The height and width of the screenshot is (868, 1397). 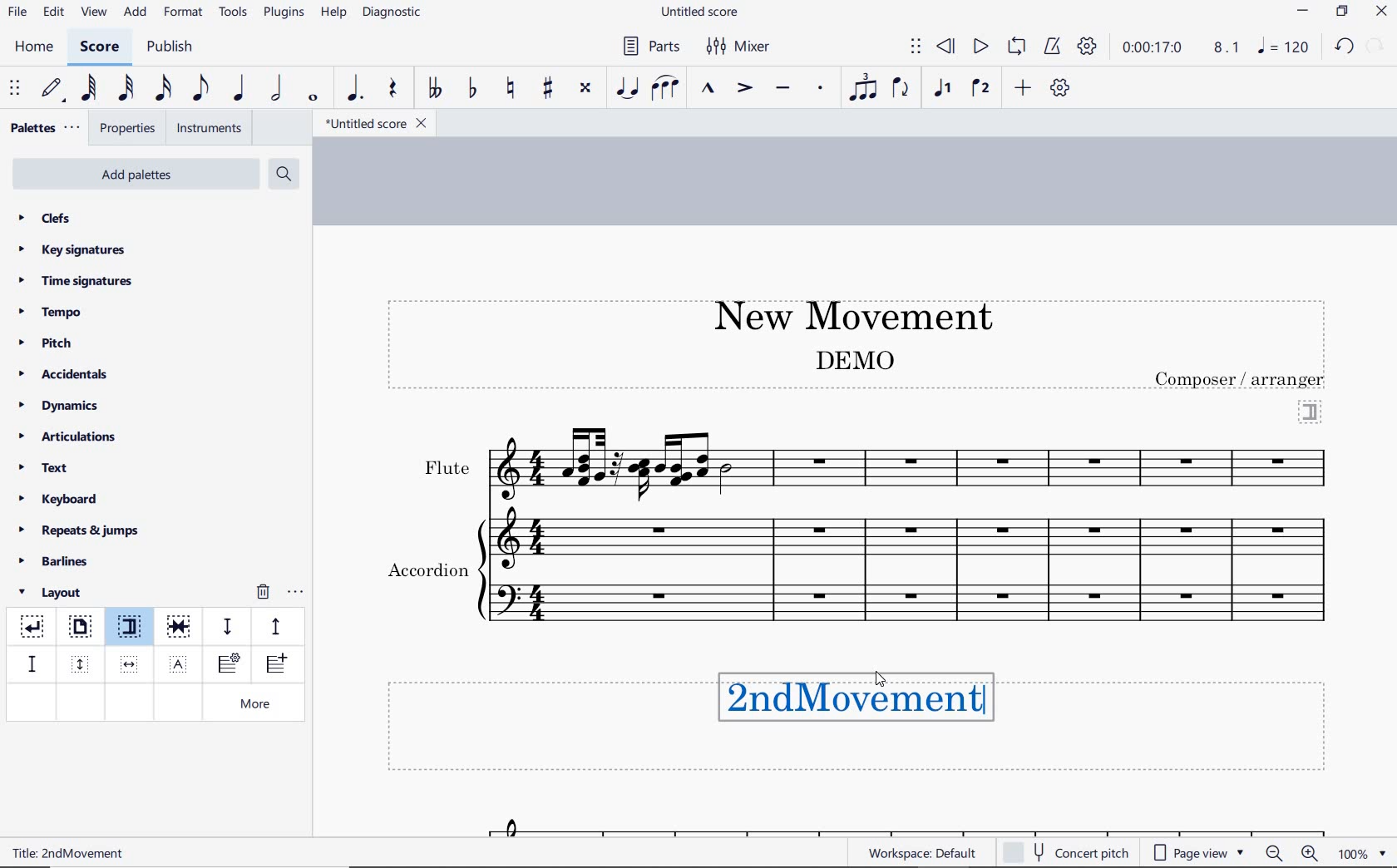 I want to click on customize toolbar, so click(x=1061, y=89).